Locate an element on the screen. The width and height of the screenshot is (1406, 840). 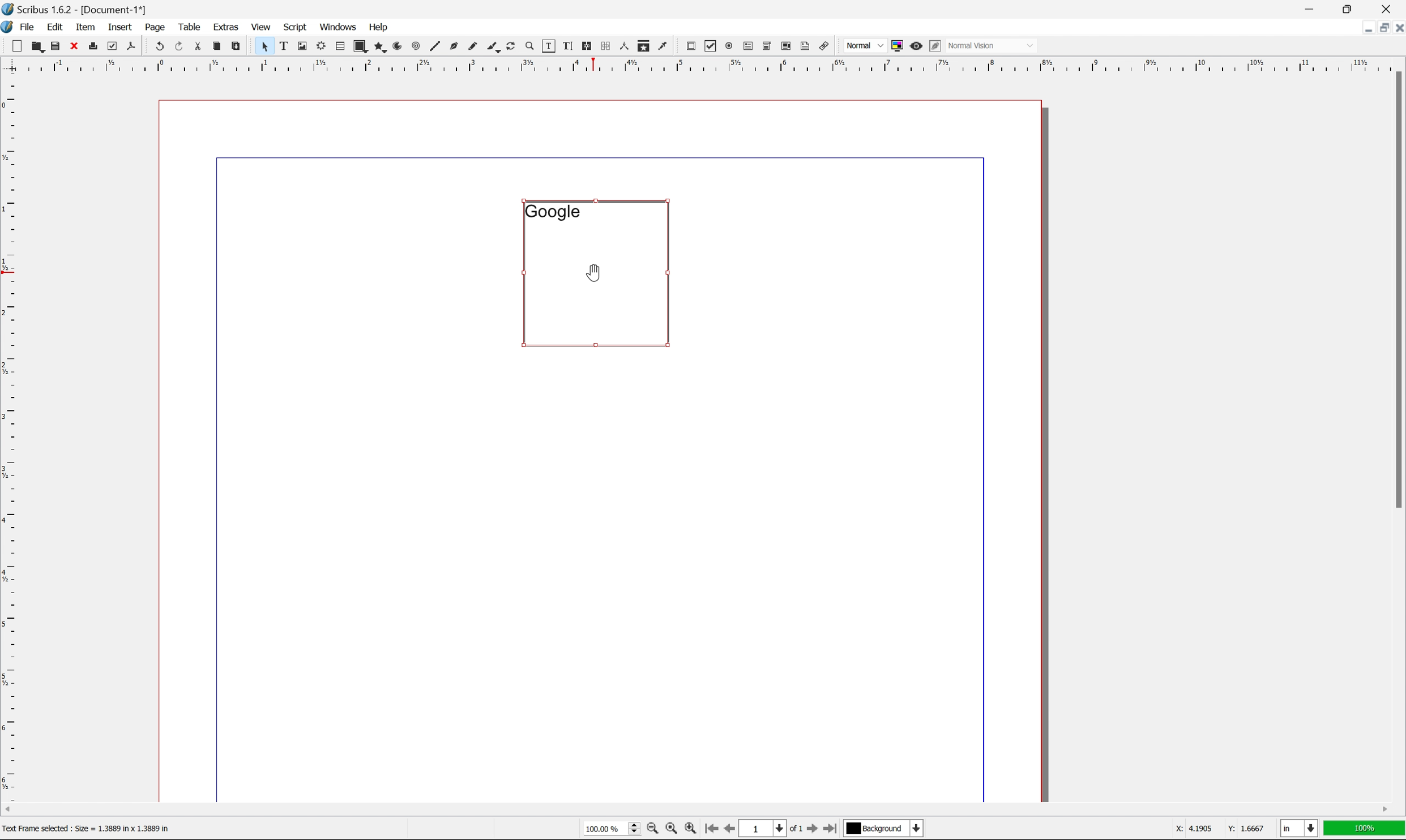
bezier curve is located at coordinates (454, 46).